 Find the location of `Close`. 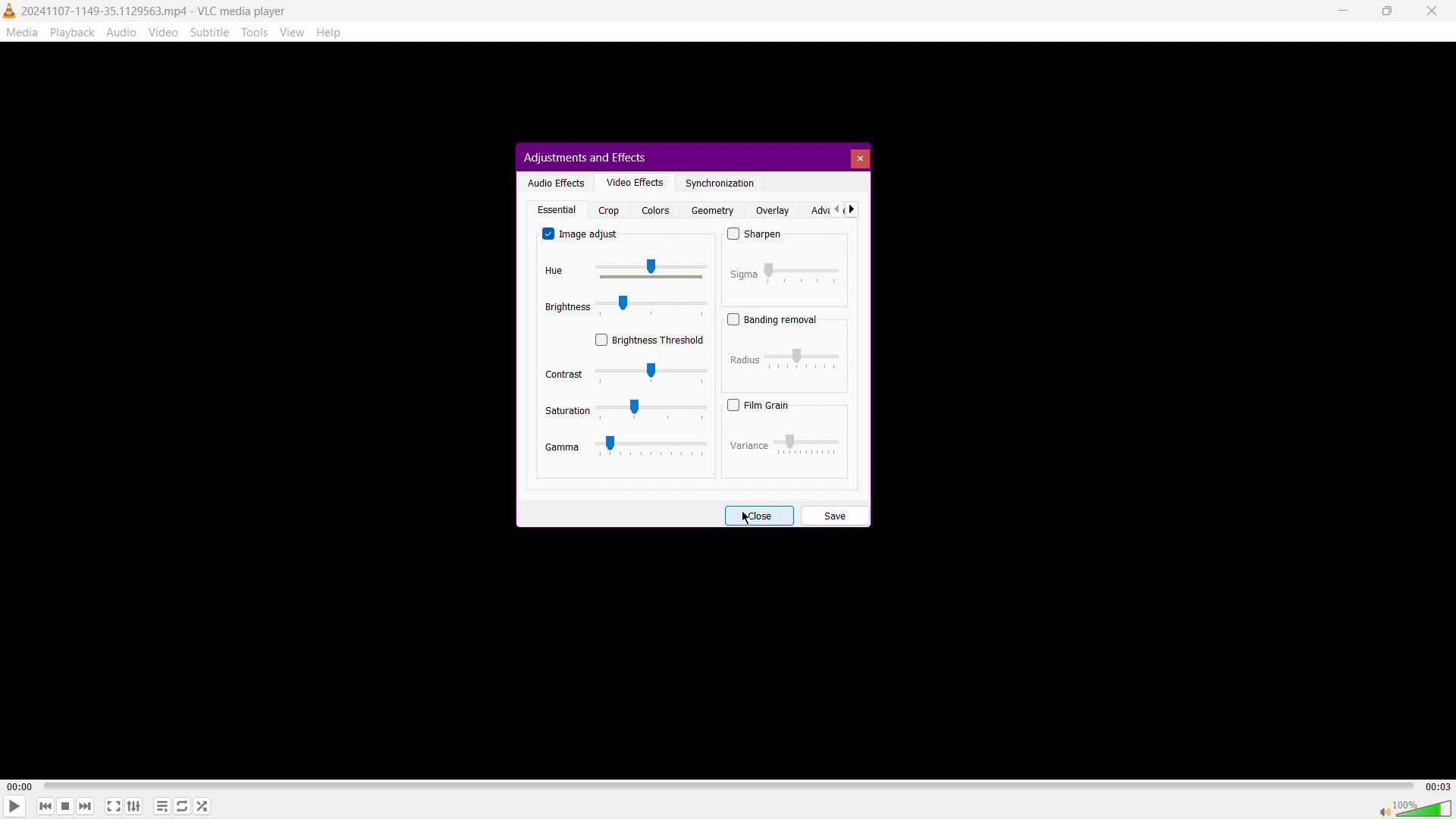

Close is located at coordinates (859, 158).